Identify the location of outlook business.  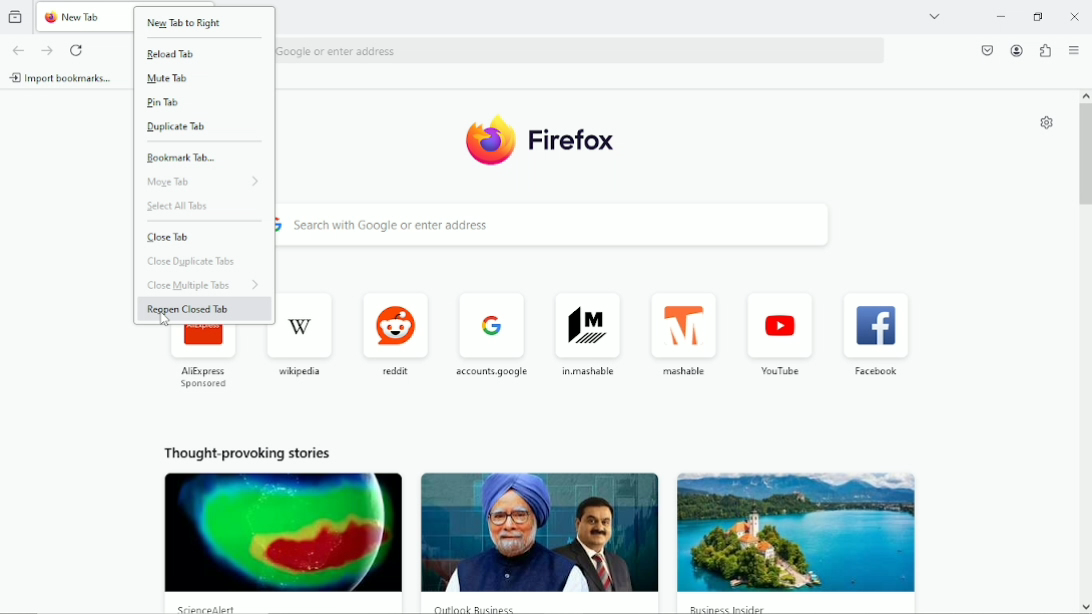
(480, 606).